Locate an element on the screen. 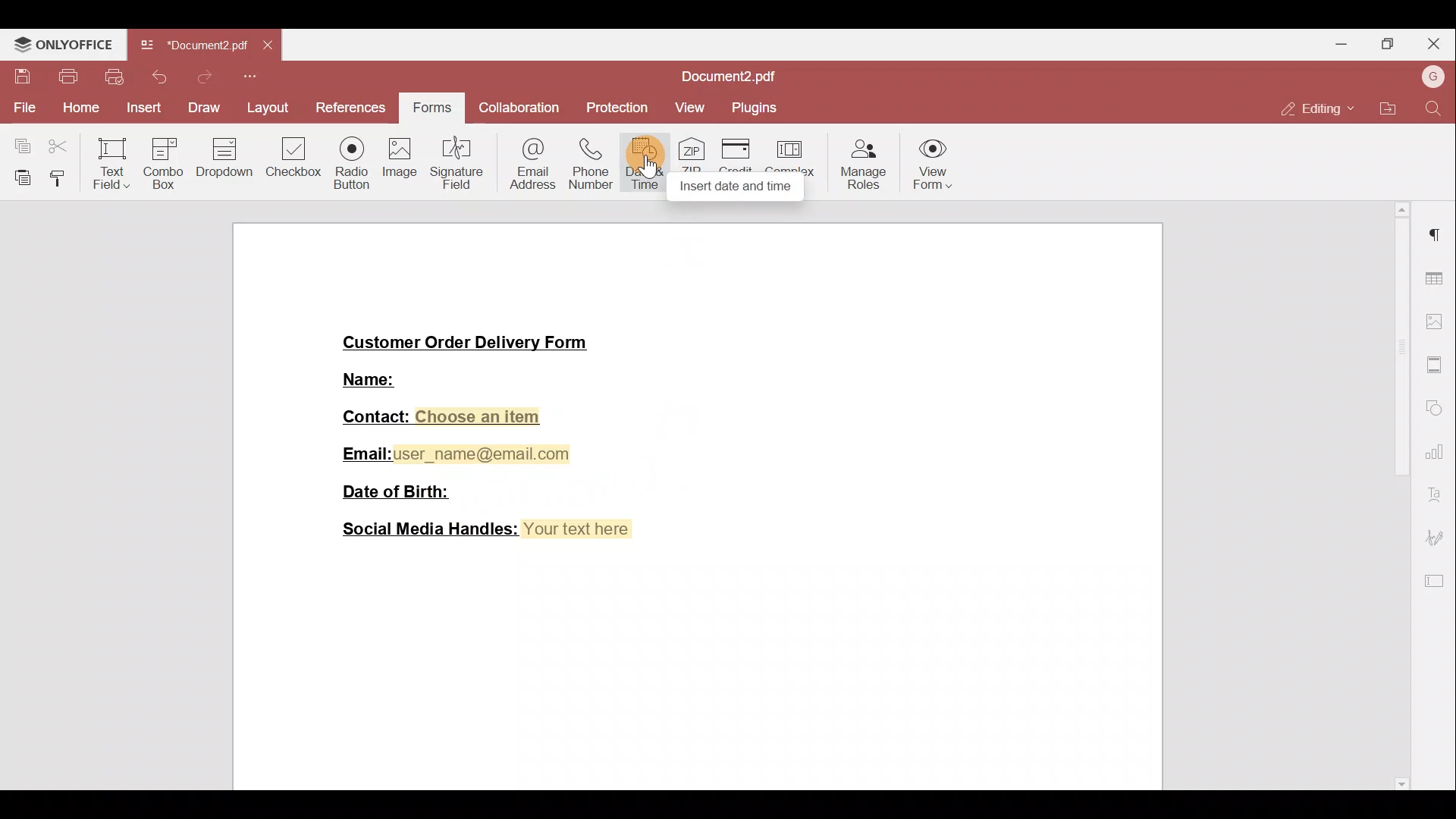 The width and height of the screenshot is (1456, 819). Customer Order Delivery Form| is located at coordinates (467, 343).